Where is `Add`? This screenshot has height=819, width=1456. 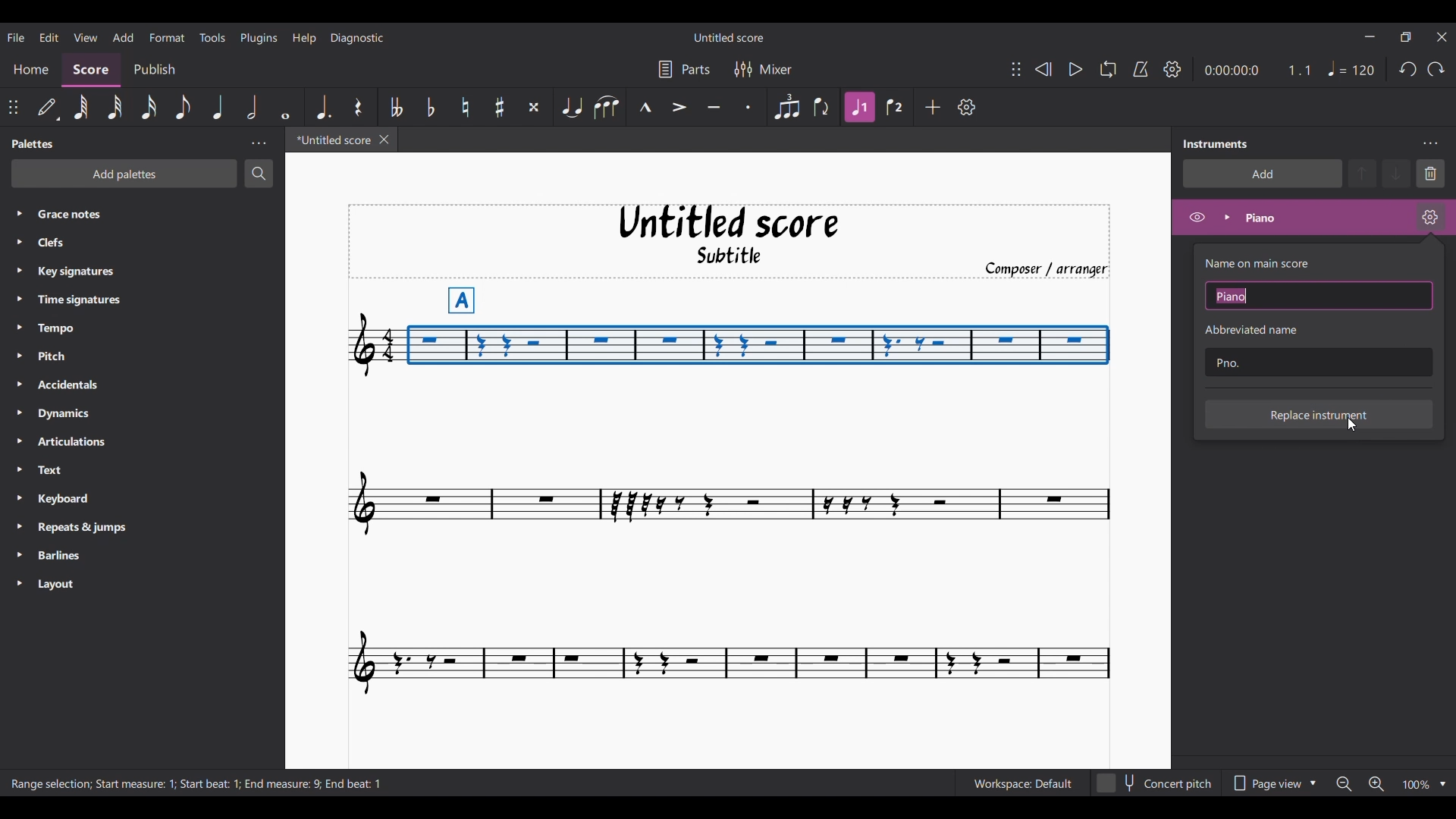 Add is located at coordinates (933, 107).